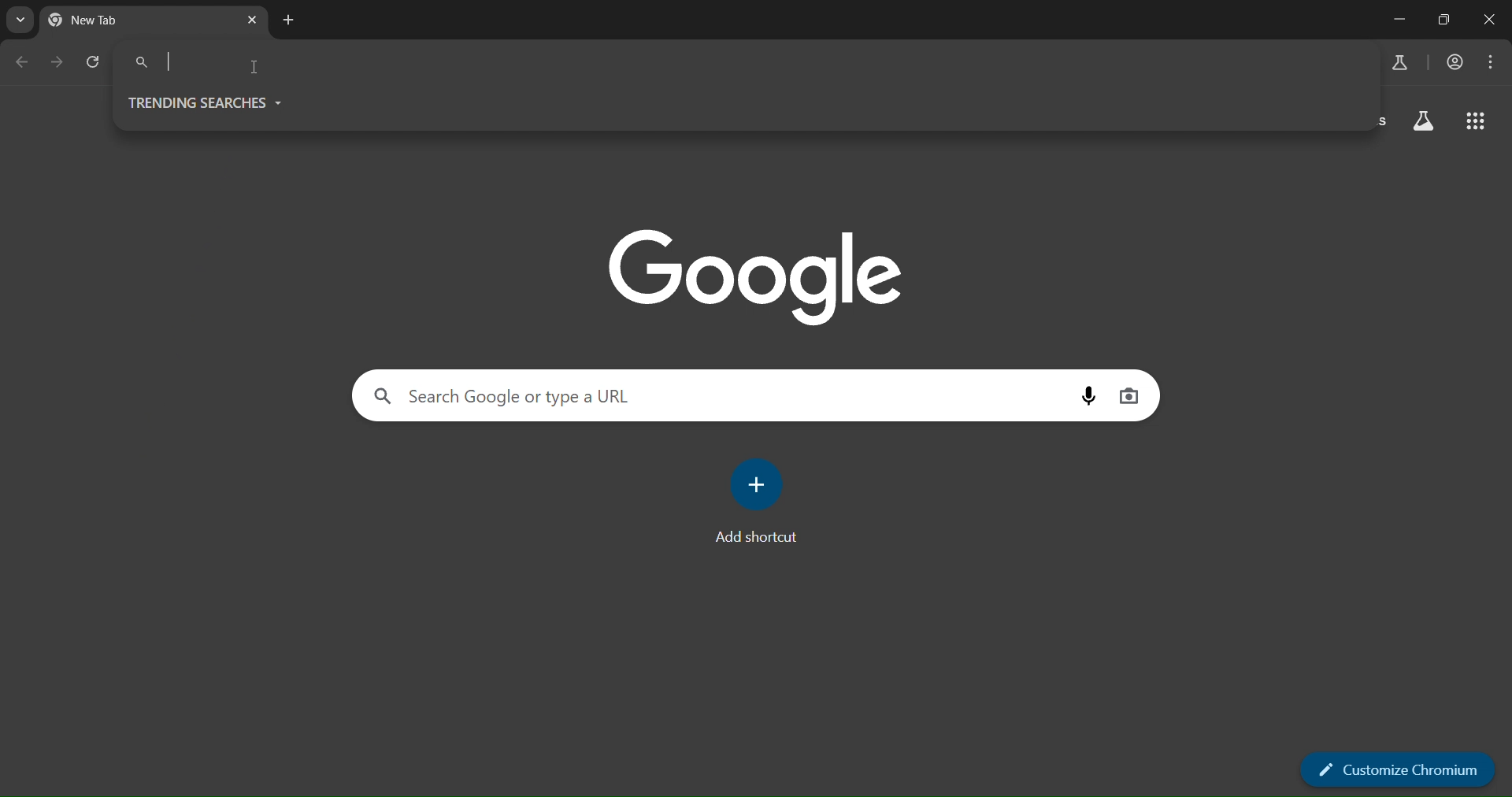  Describe the element at coordinates (254, 17) in the screenshot. I see `close tab` at that location.